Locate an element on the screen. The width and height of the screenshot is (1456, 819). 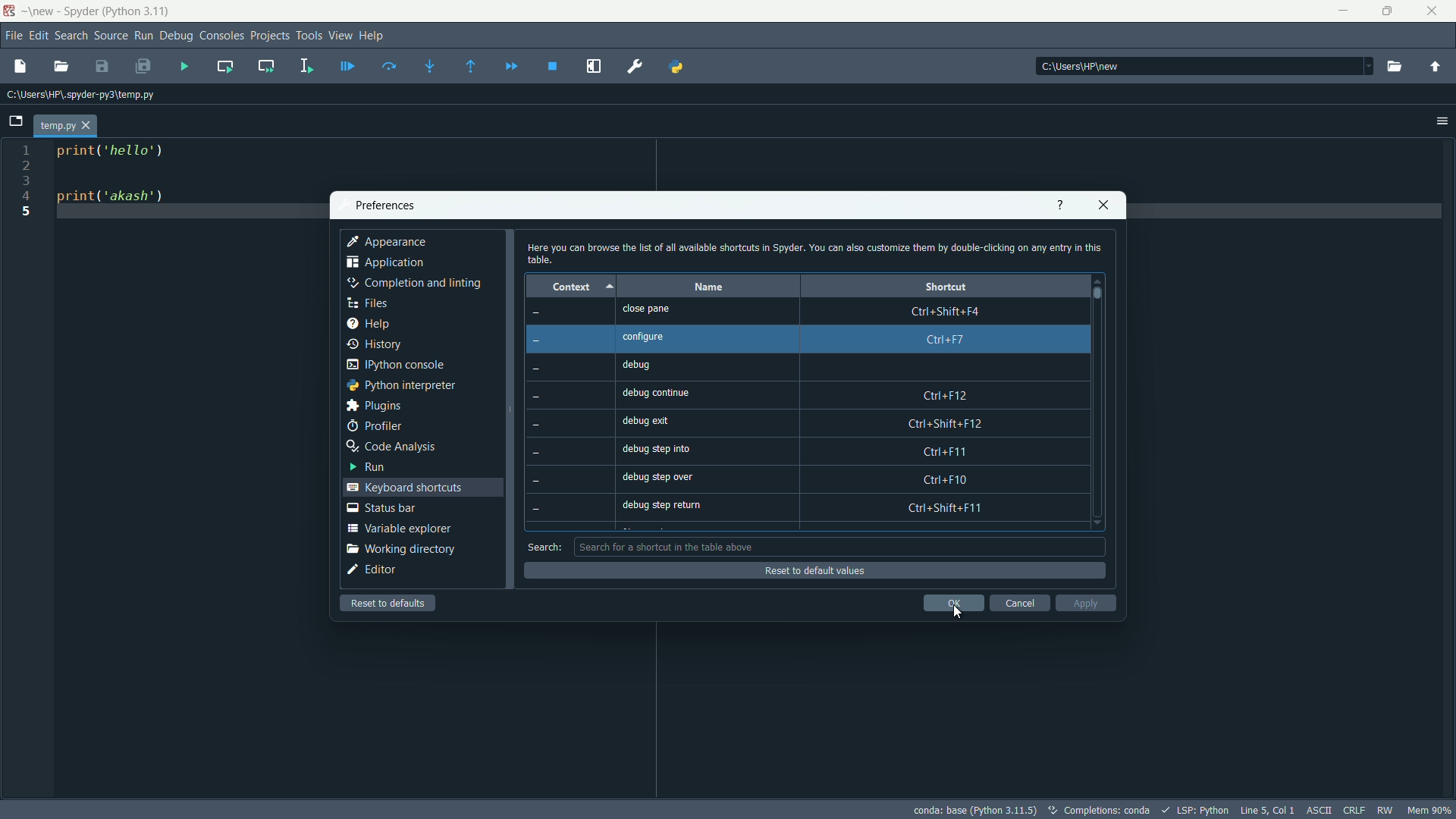
run current cell is located at coordinates (224, 65).